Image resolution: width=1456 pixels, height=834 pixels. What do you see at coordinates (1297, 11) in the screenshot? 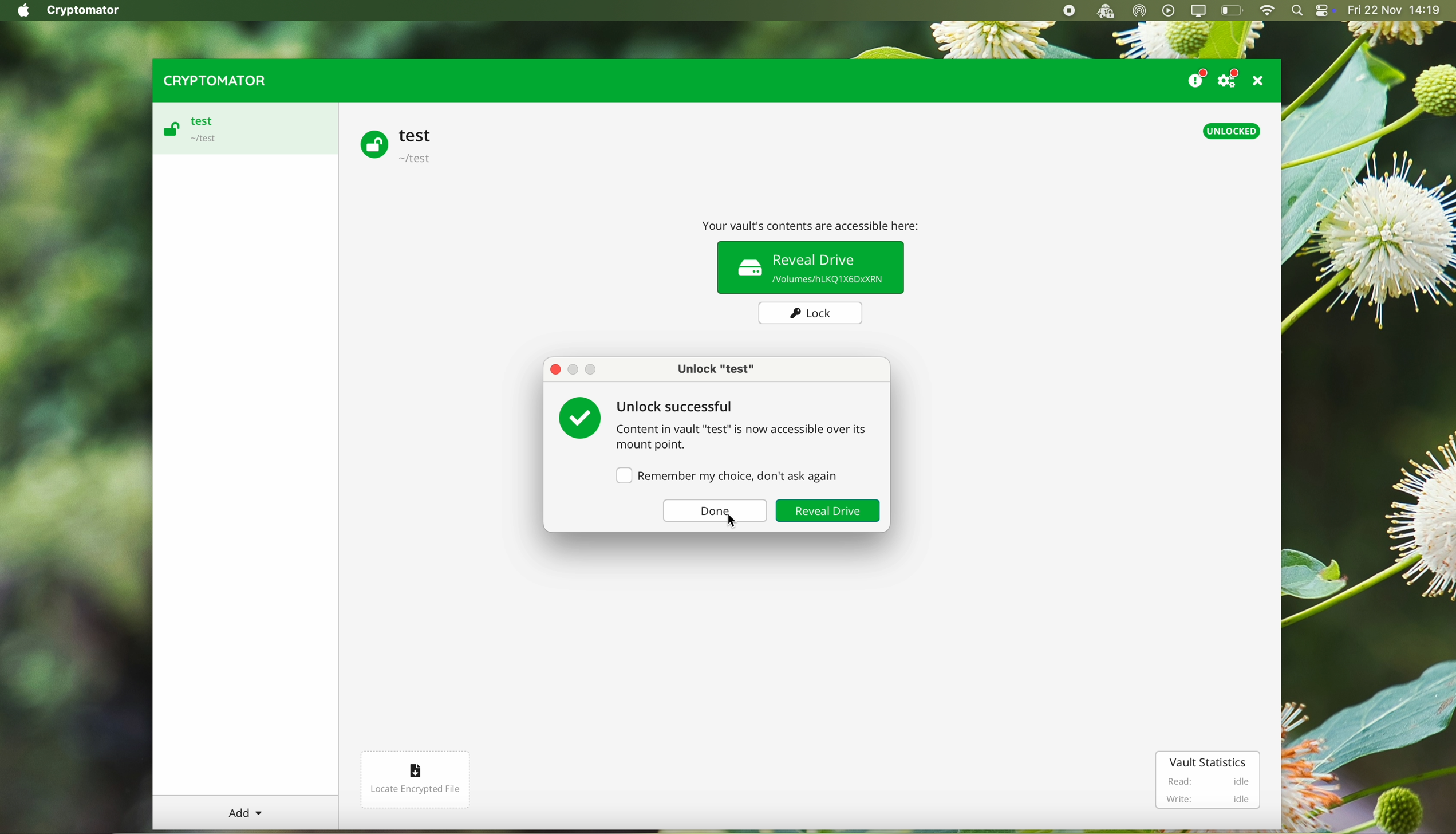
I see `spotlight search` at bounding box center [1297, 11].